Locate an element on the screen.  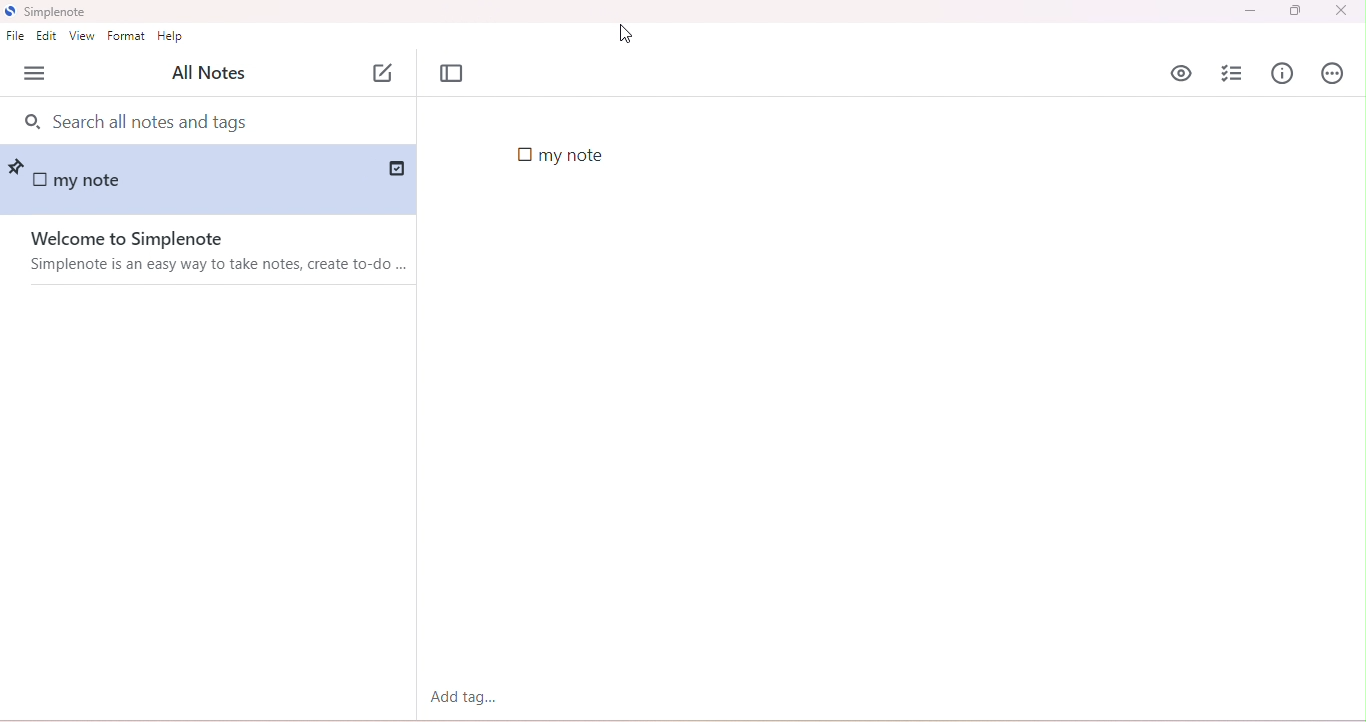
menu is located at coordinates (36, 73).